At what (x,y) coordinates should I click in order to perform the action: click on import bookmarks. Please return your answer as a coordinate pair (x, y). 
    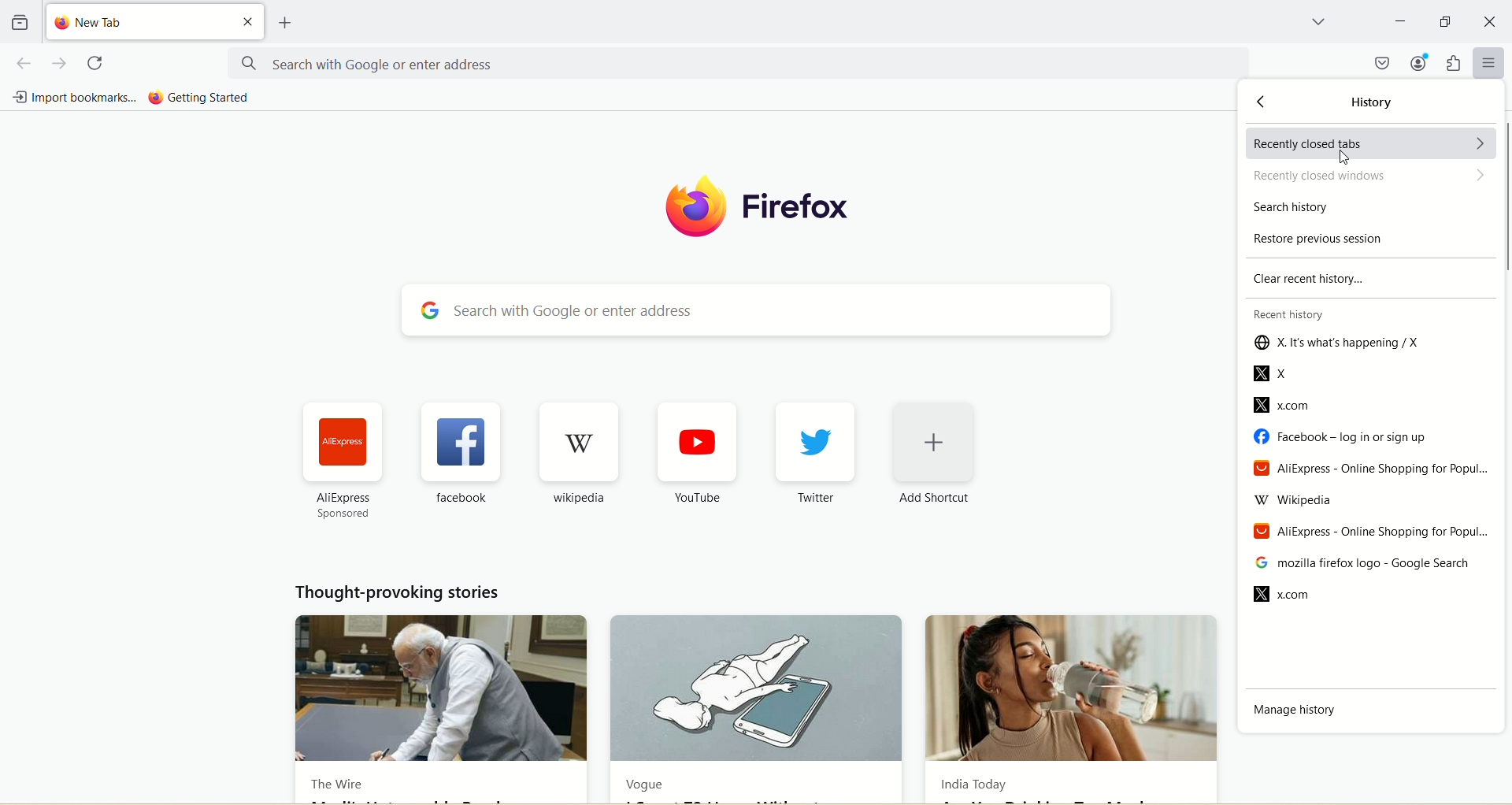
    Looking at the image, I should click on (75, 98).